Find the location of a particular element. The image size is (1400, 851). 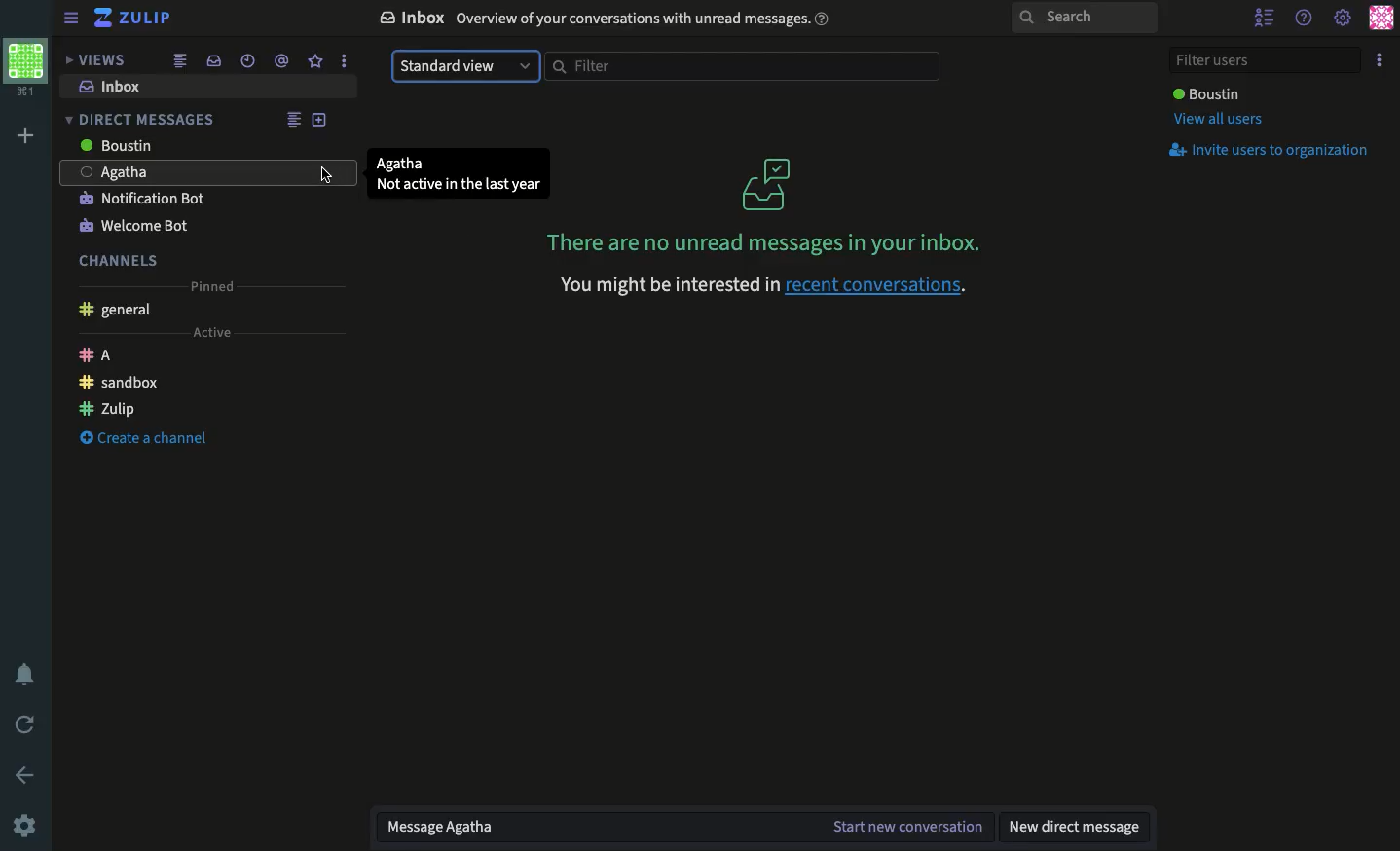

Add is located at coordinates (25, 138).